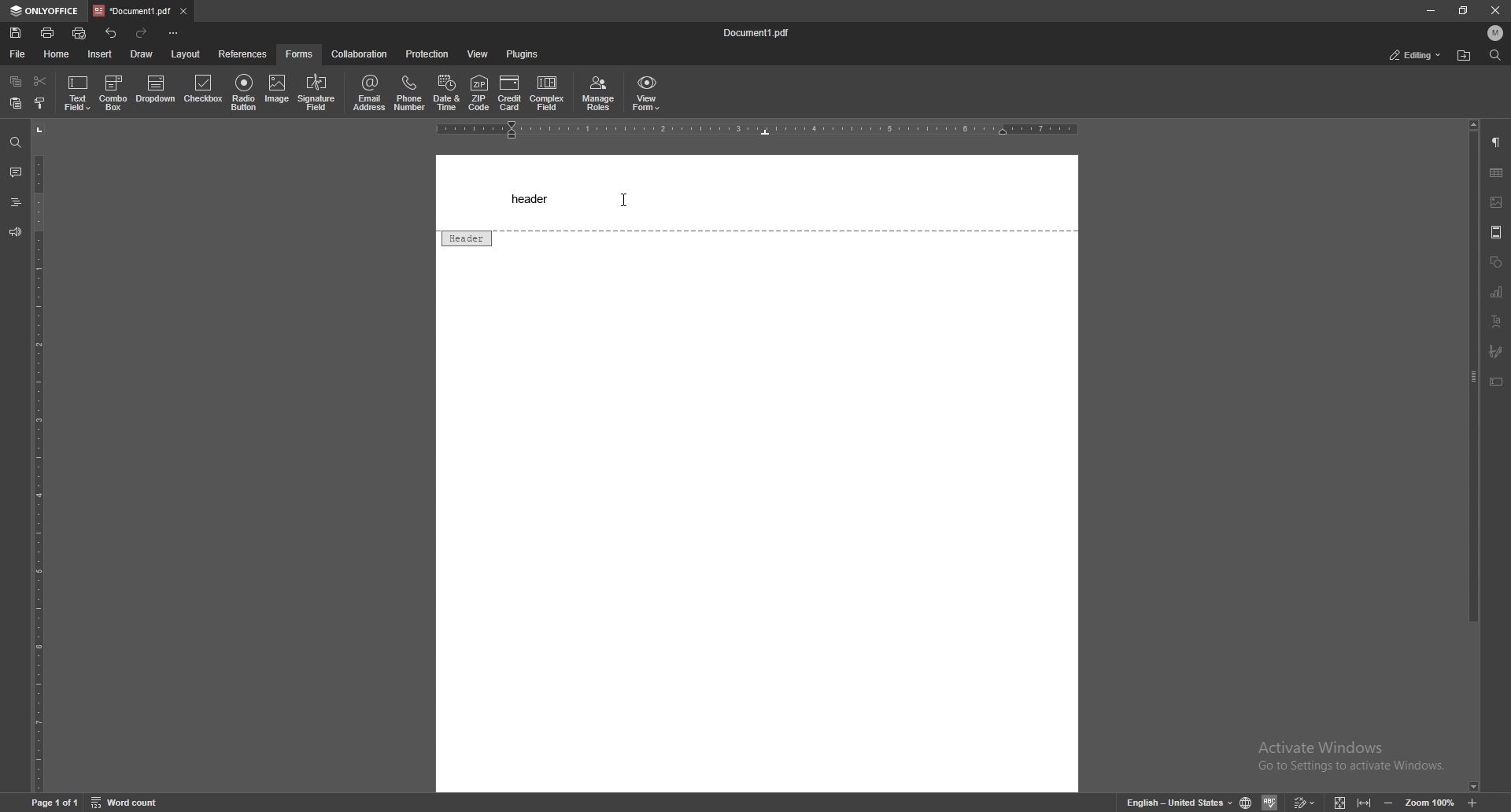 This screenshot has height=812, width=1511. Describe the element at coordinates (597, 93) in the screenshot. I see `manage roles` at that location.